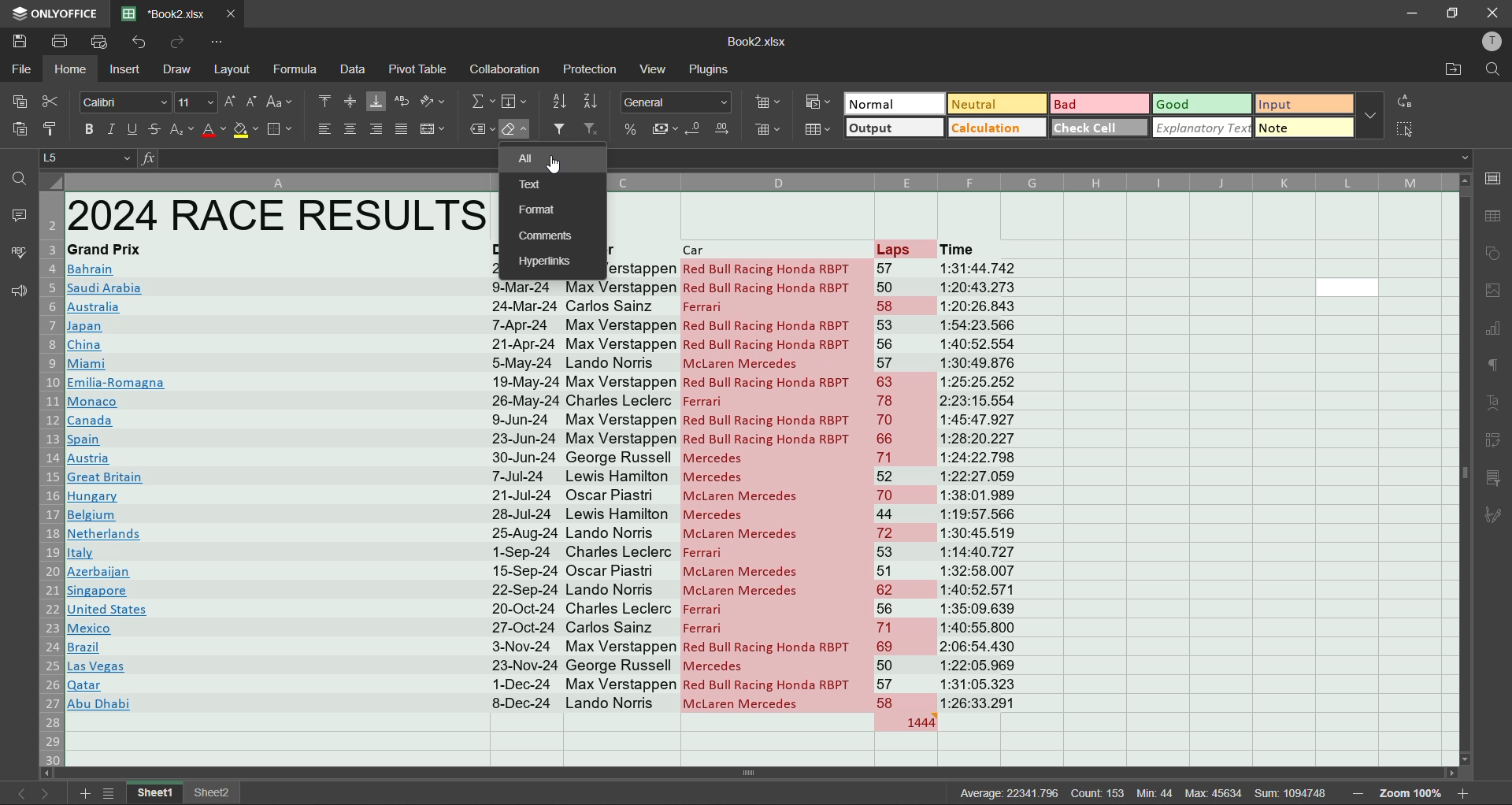 This screenshot has width=1512, height=805. I want to click on data in the sheet, so click(276, 468).